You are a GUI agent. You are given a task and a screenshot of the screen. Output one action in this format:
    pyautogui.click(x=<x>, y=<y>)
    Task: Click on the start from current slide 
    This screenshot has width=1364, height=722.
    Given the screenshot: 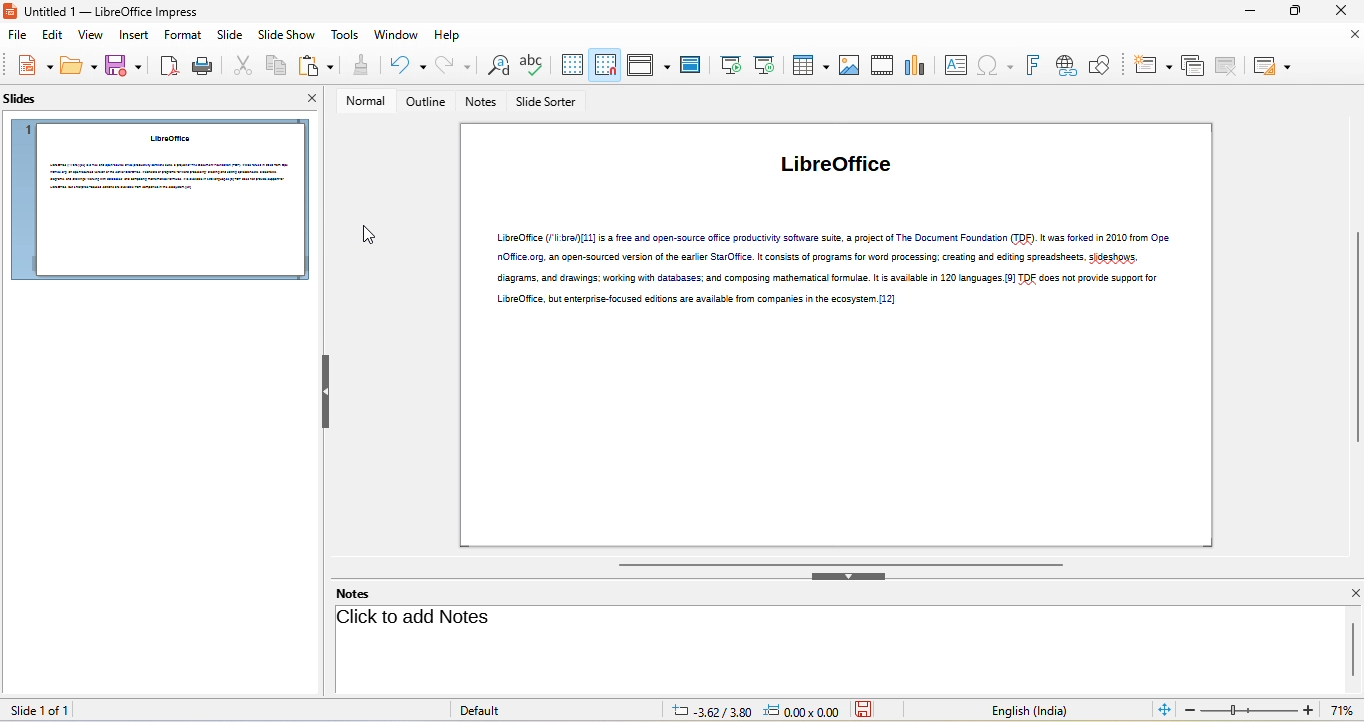 What is the action you would take?
    pyautogui.click(x=767, y=65)
    